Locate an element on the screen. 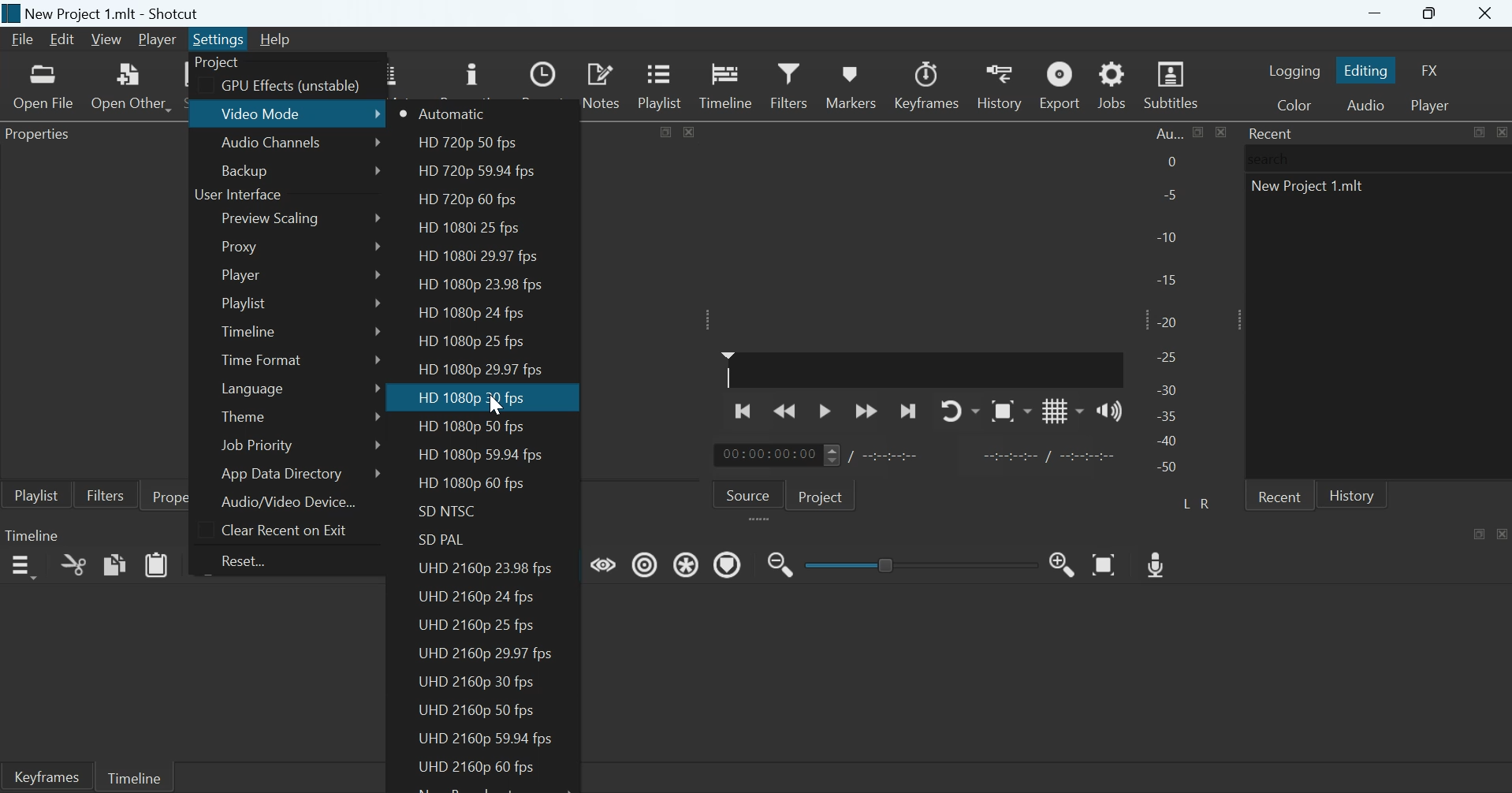 This screenshot has height=793, width=1512. Right is located at coordinates (1208, 503).